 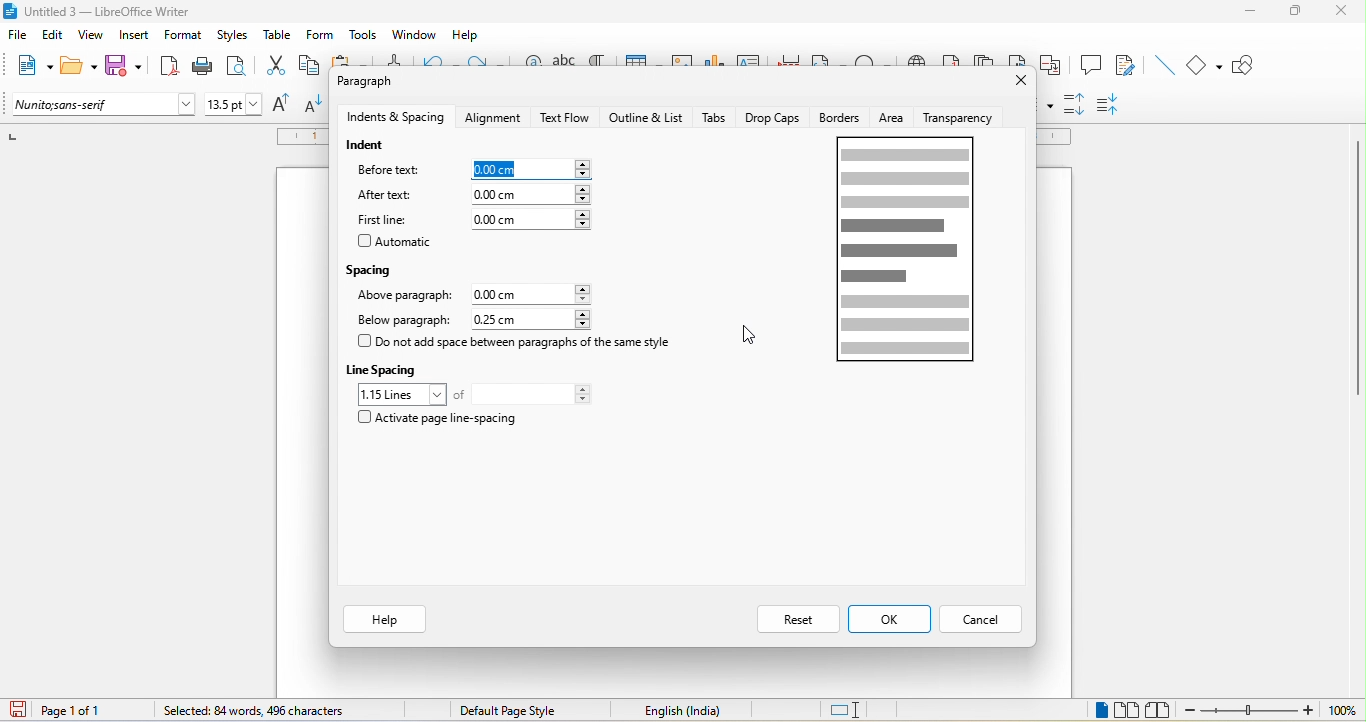 I want to click on comment, so click(x=1091, y=63).